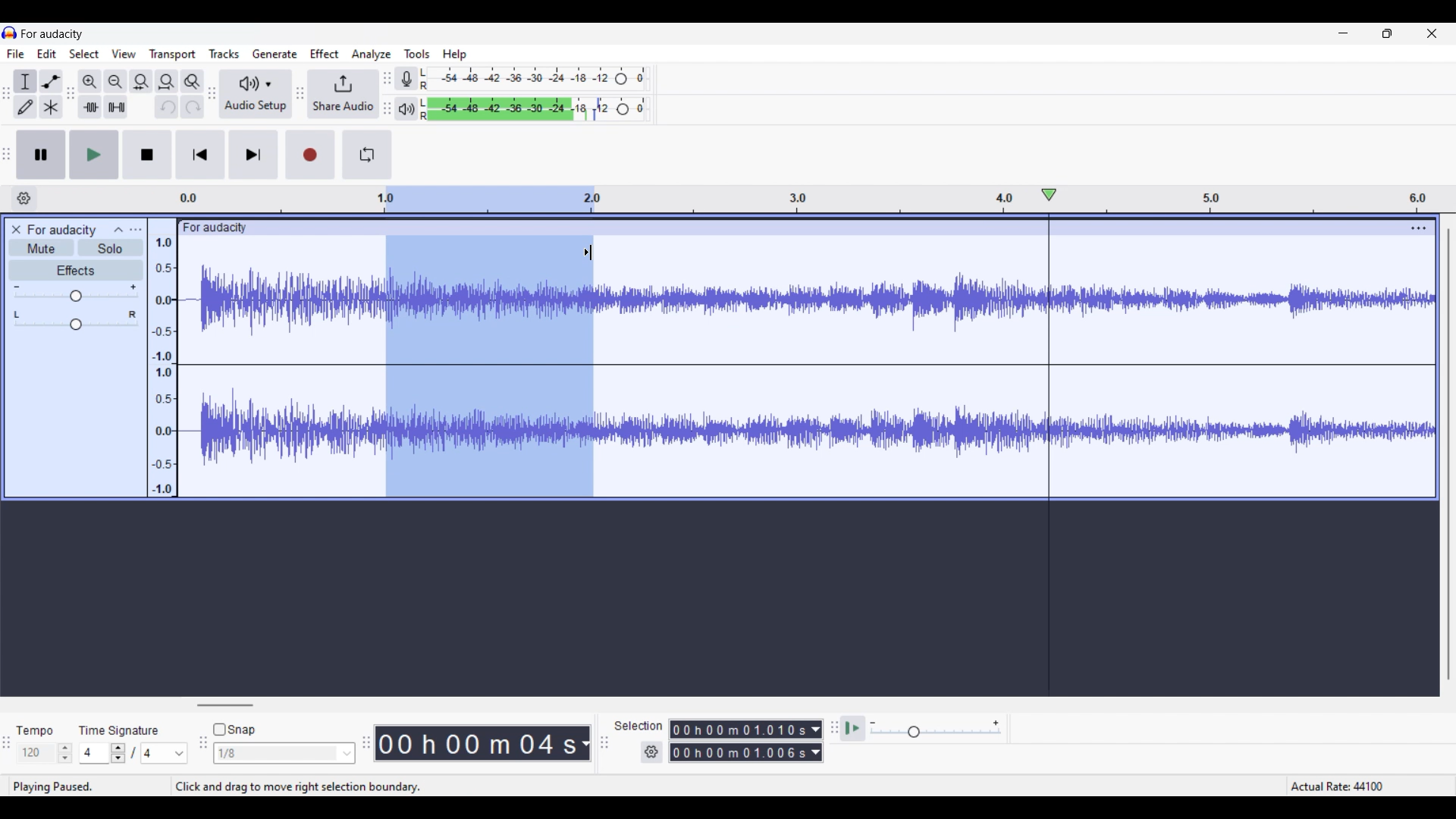 Image resolution: width=1456 pixels, height=819 pixels. I want to click on Skip/Select to end, so click(253, 155).